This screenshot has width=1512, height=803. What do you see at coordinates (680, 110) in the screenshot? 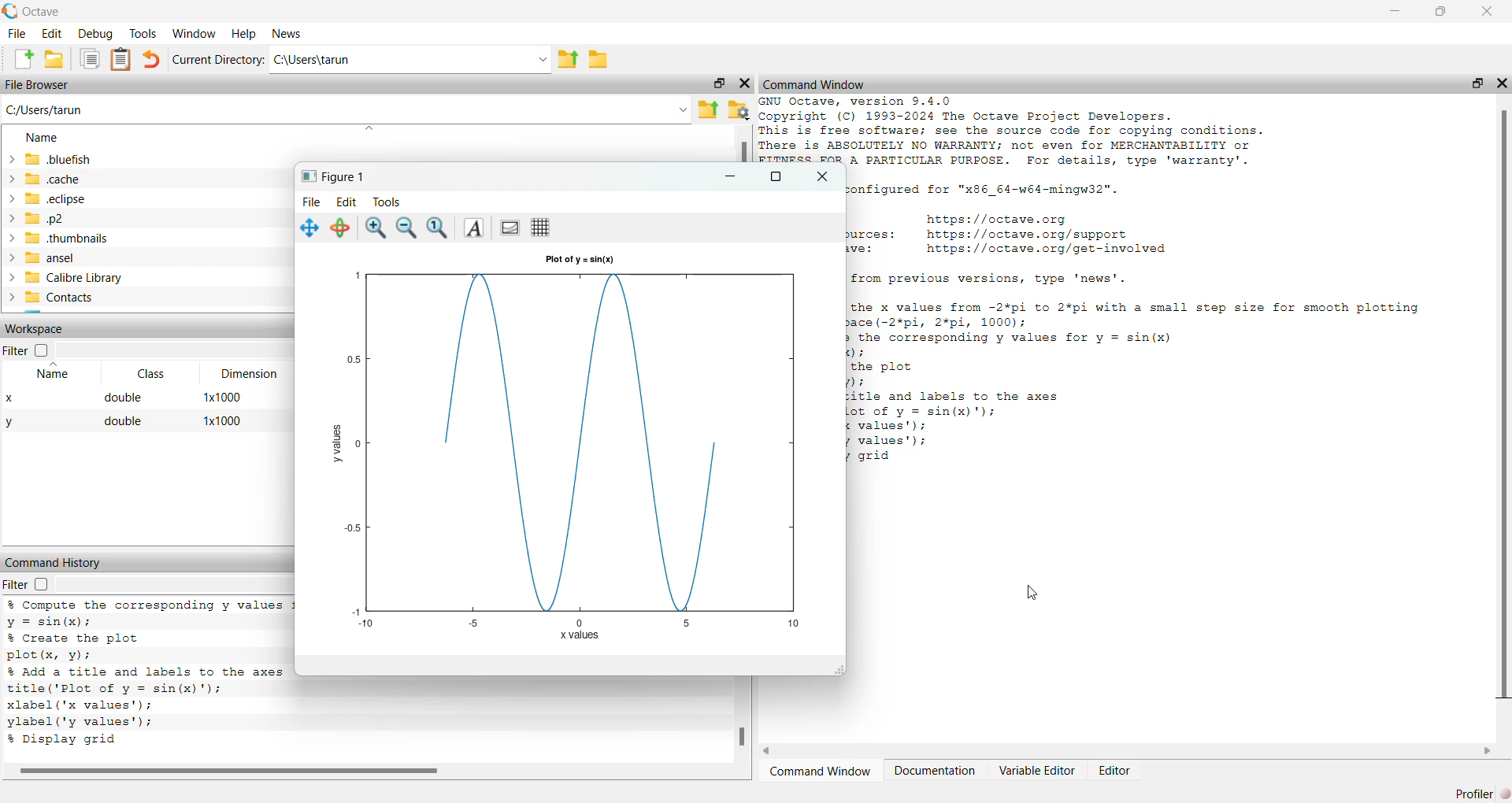
I see `down` at bounding box center [680, 110].